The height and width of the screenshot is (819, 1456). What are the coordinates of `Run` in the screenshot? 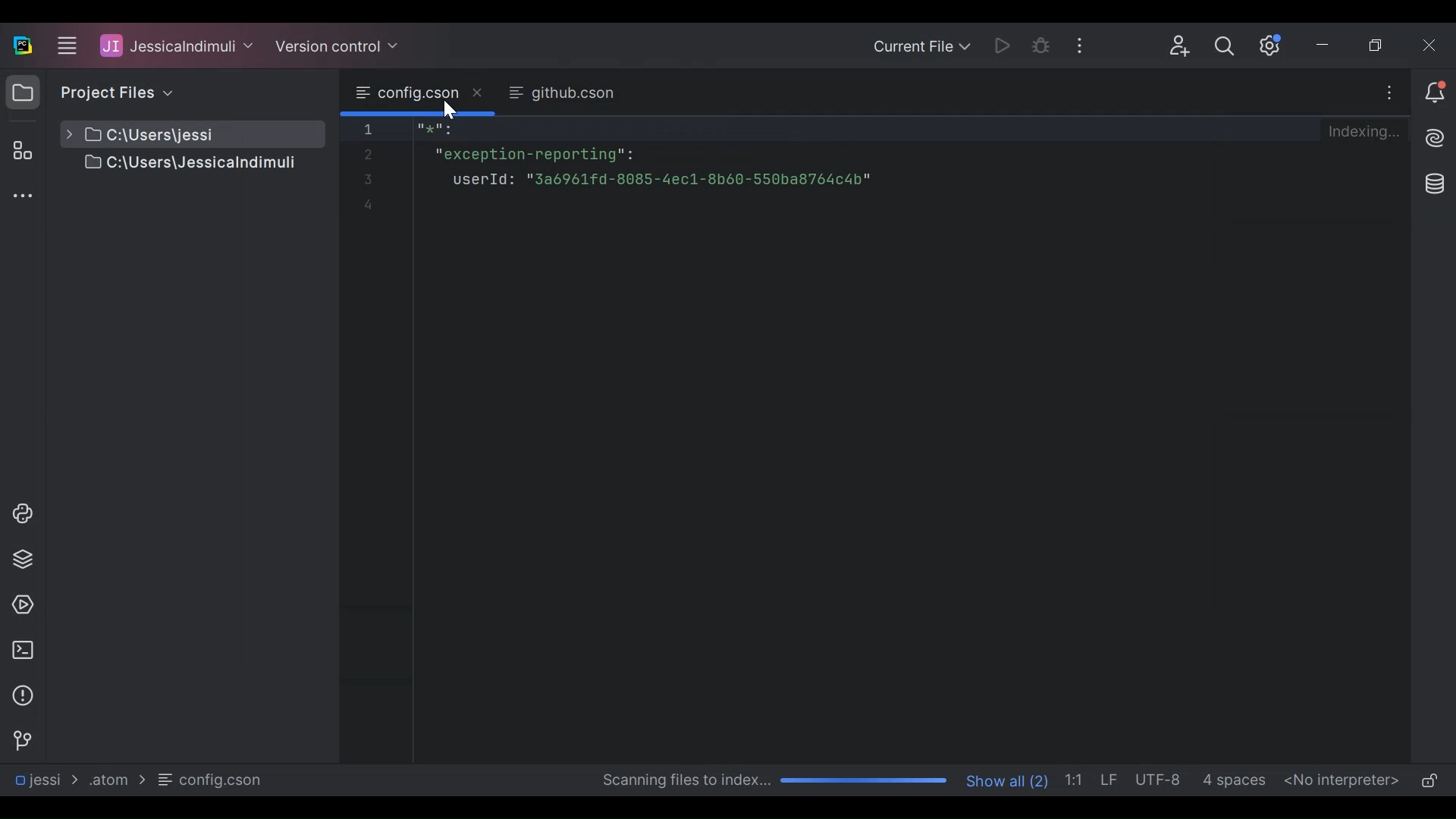 It's located at (998, 45).